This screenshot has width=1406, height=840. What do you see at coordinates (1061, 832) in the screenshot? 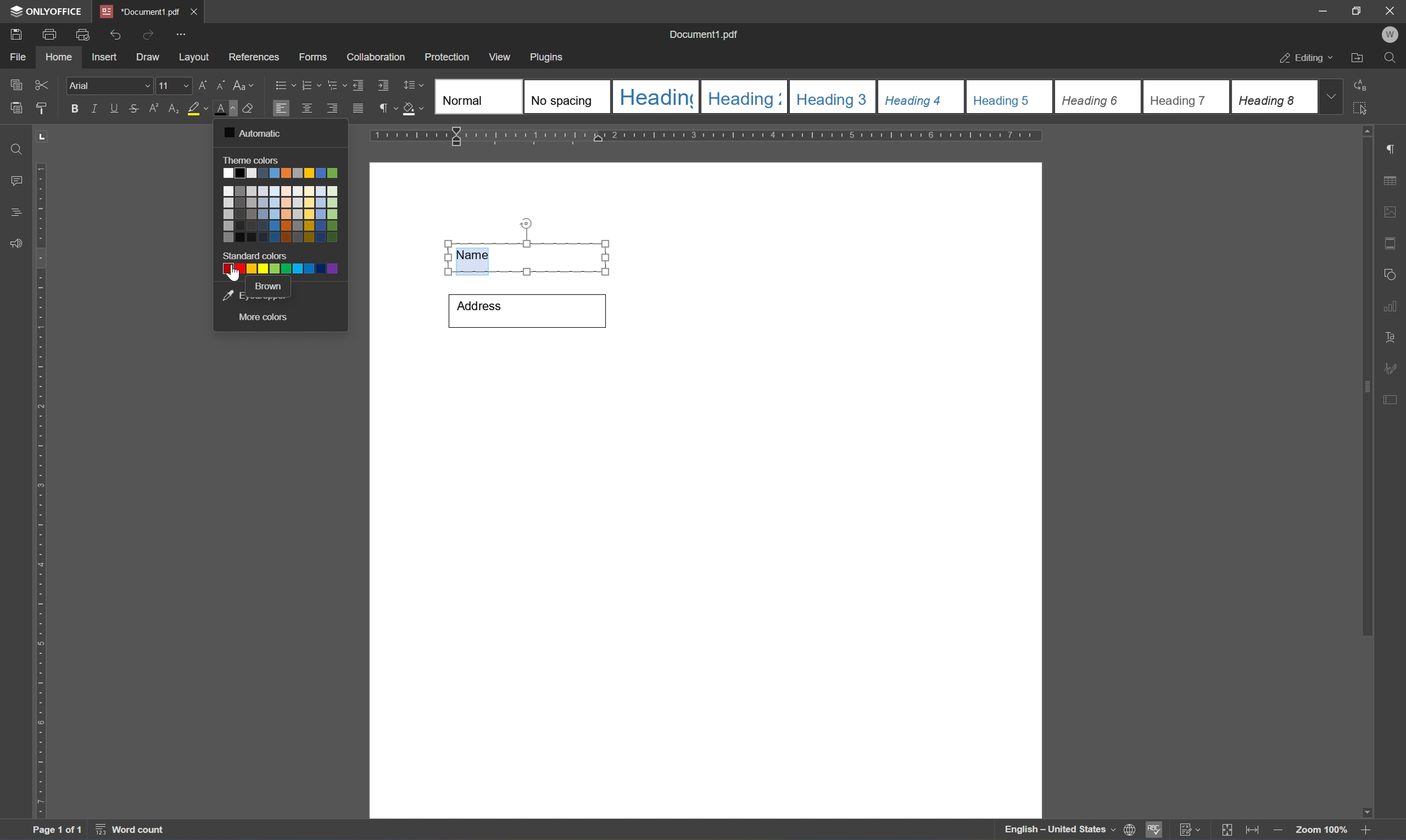
I see `english-united states` at bounding box center [1061, 832].